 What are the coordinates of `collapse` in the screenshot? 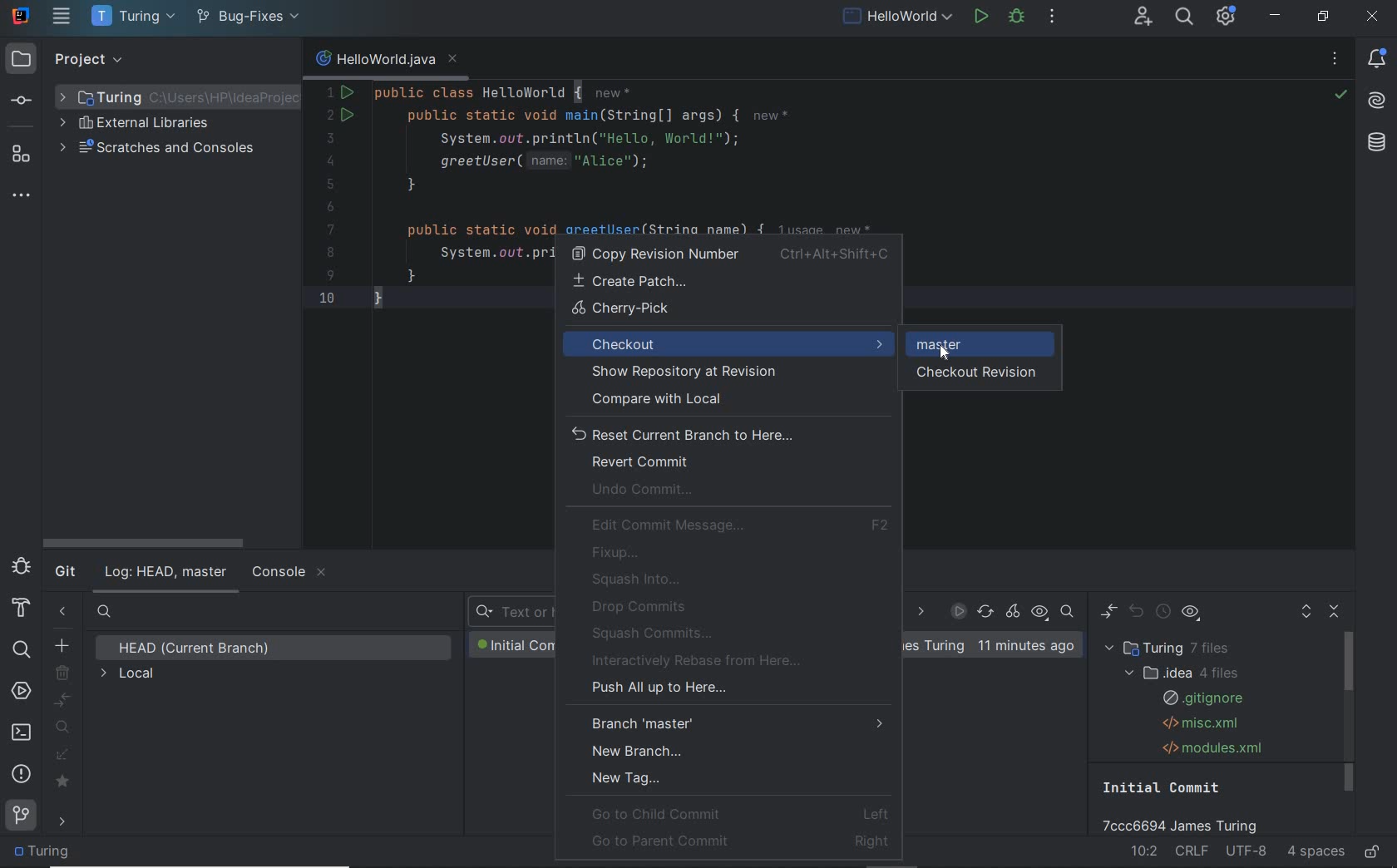 It's located at (227, 61).